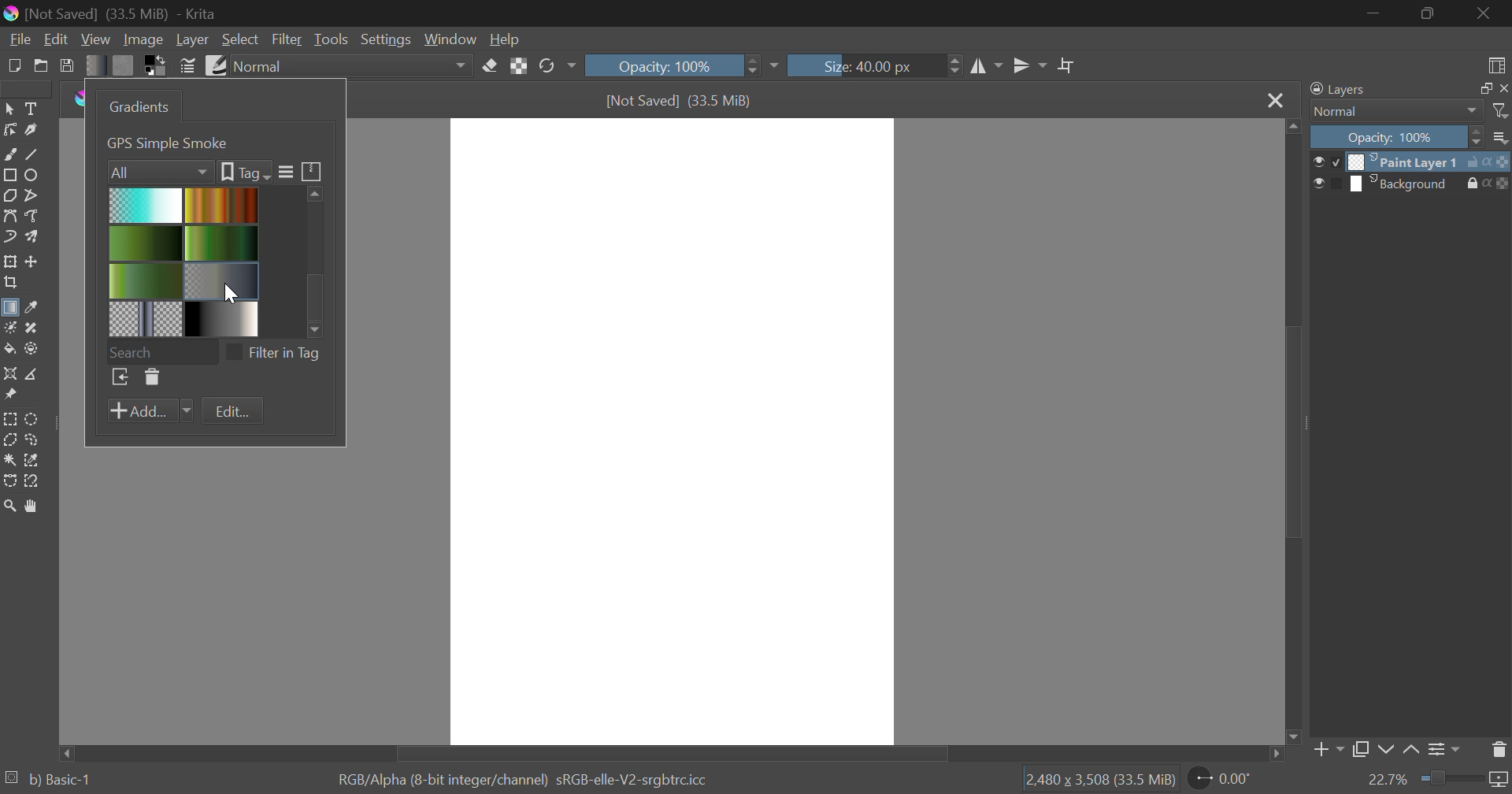  Describe the element at coordinates (41, 65) in the screenshot. I see `Open` at that location.